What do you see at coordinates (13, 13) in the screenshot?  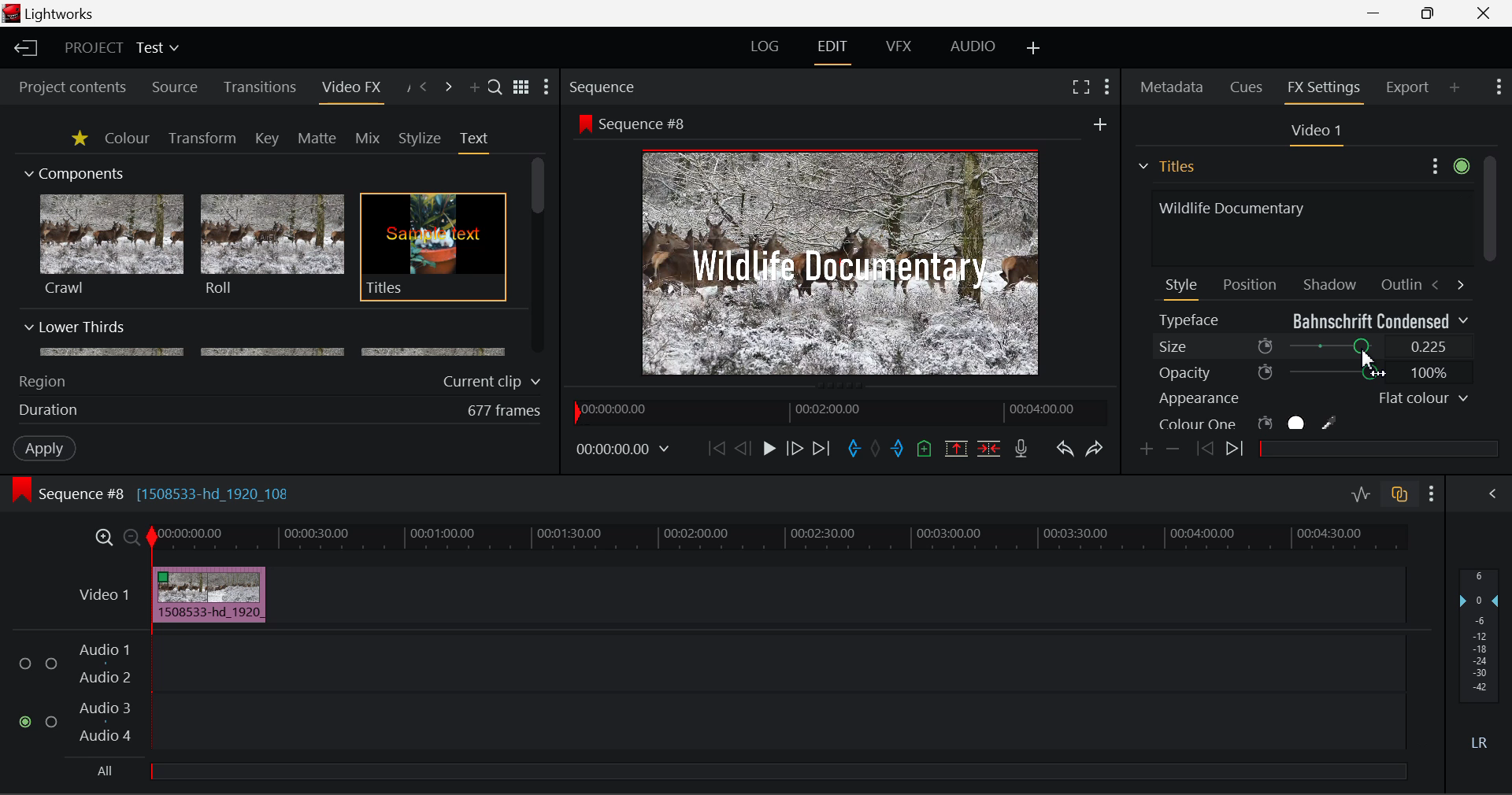 I see `logo` at bounding box center [13, 13].